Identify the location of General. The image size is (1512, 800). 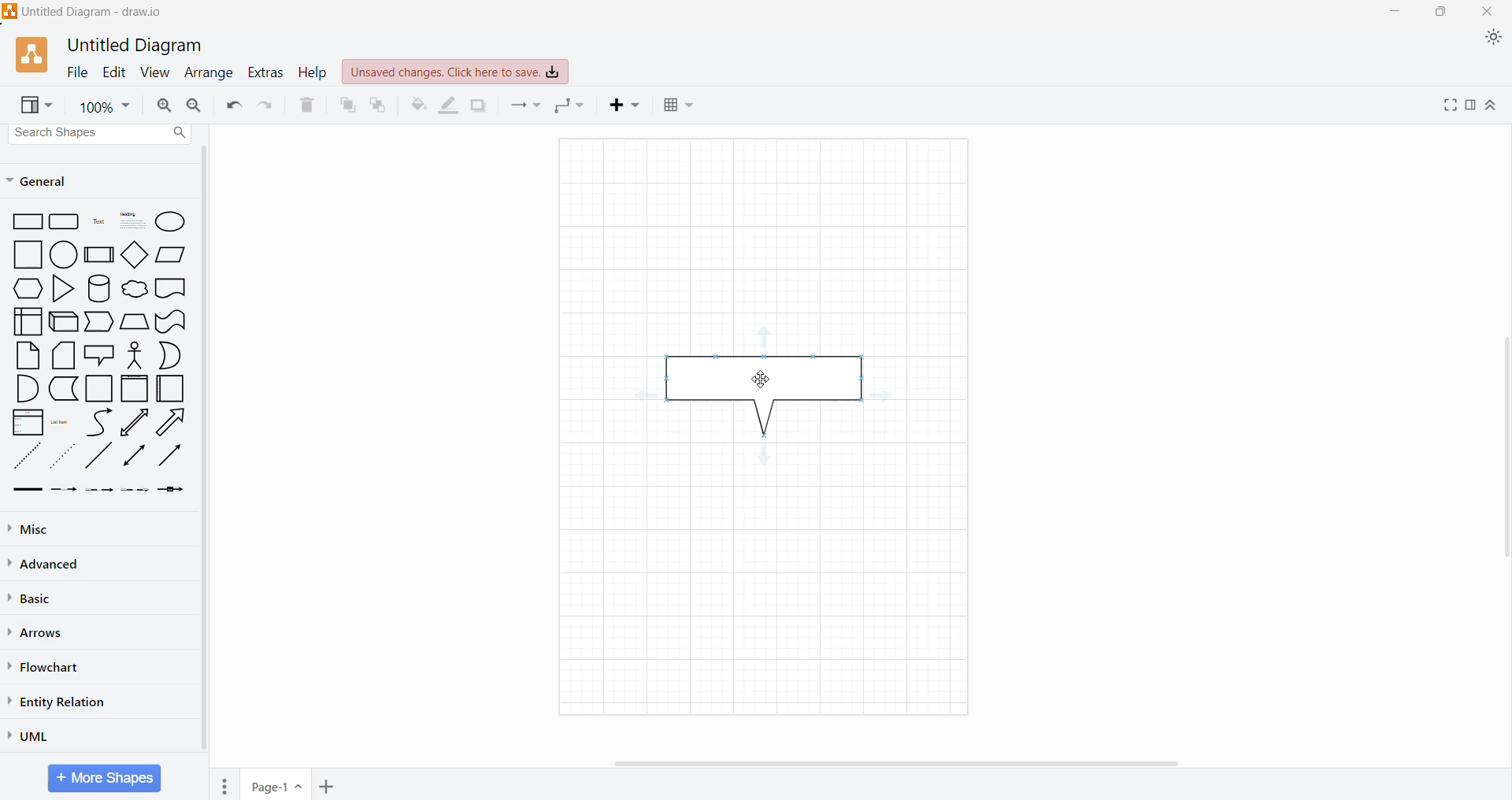
(47, 180).